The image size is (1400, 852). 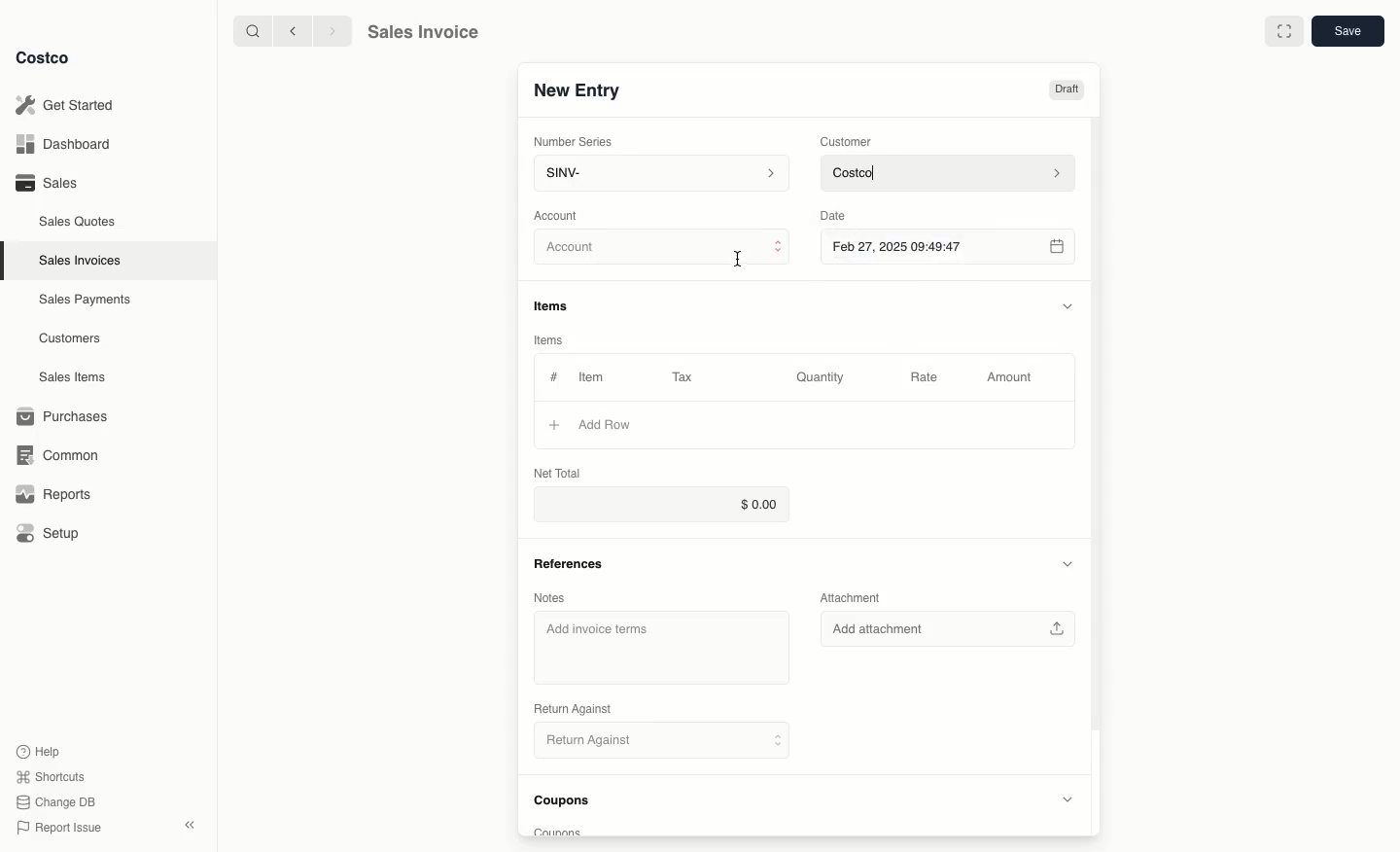 What do you see at coordinates (59, 828) in the screenshot?
I see `Report Issue` at bounding box center [59, 828].